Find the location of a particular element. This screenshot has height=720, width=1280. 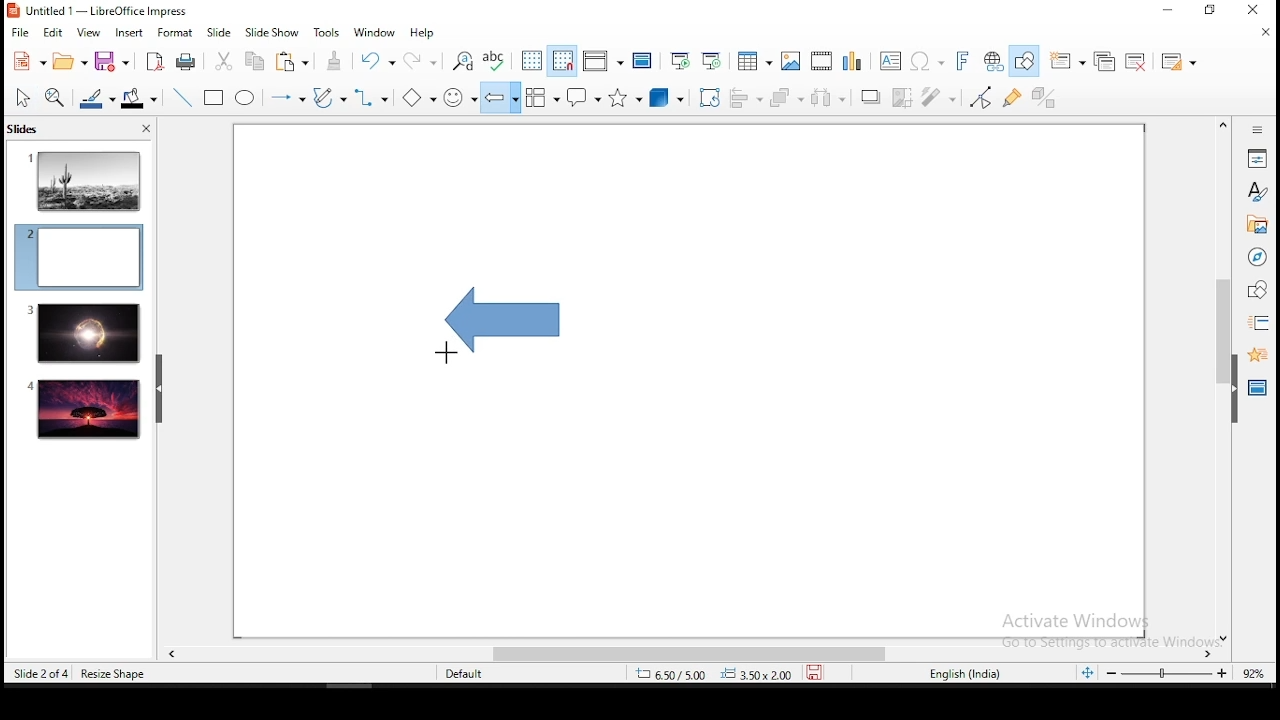

scroll bar is located at coordinates (681, 654).